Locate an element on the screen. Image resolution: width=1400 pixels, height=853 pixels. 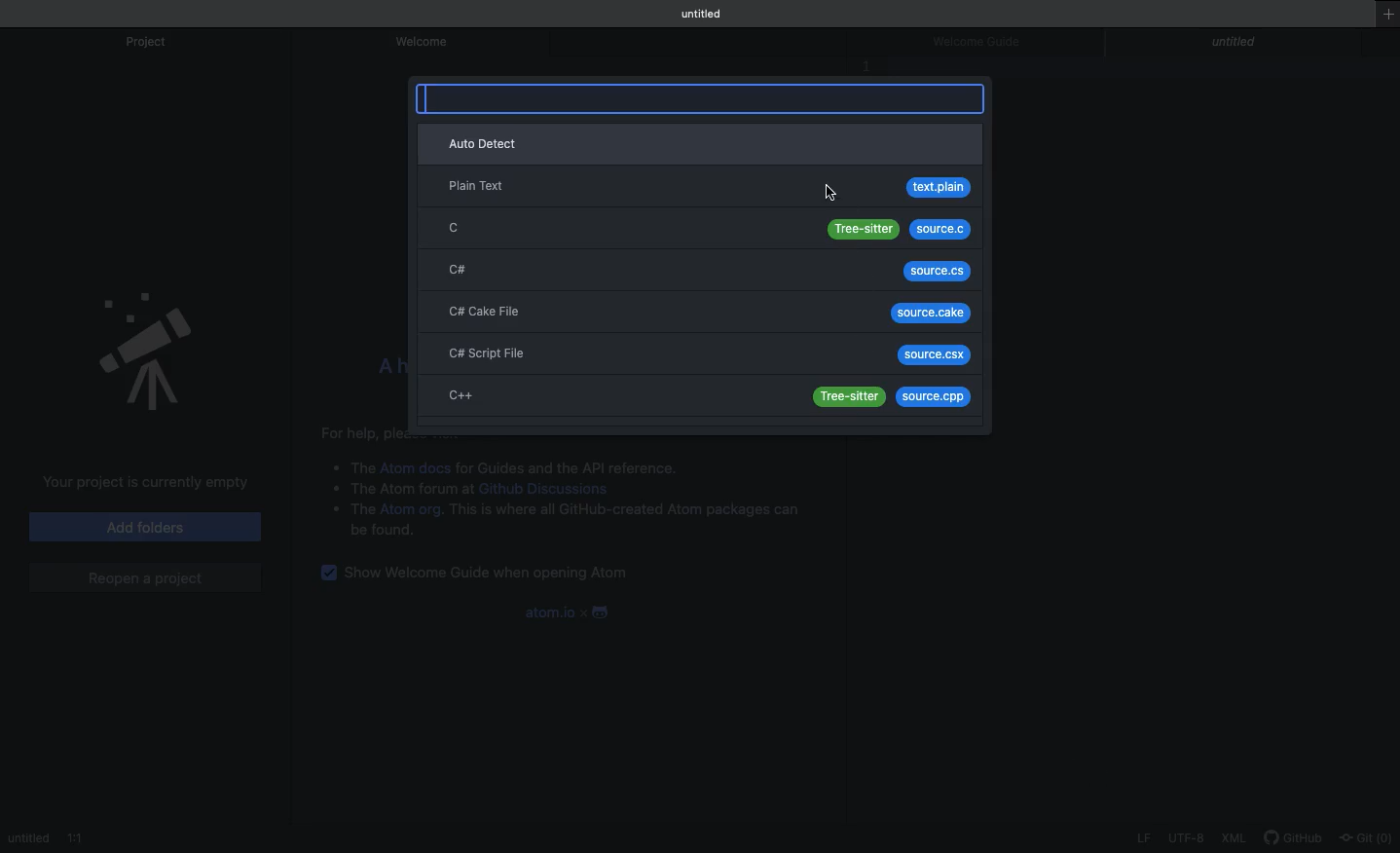
Show Welcome guide when opening Atom is located at coordinates (495, 574).